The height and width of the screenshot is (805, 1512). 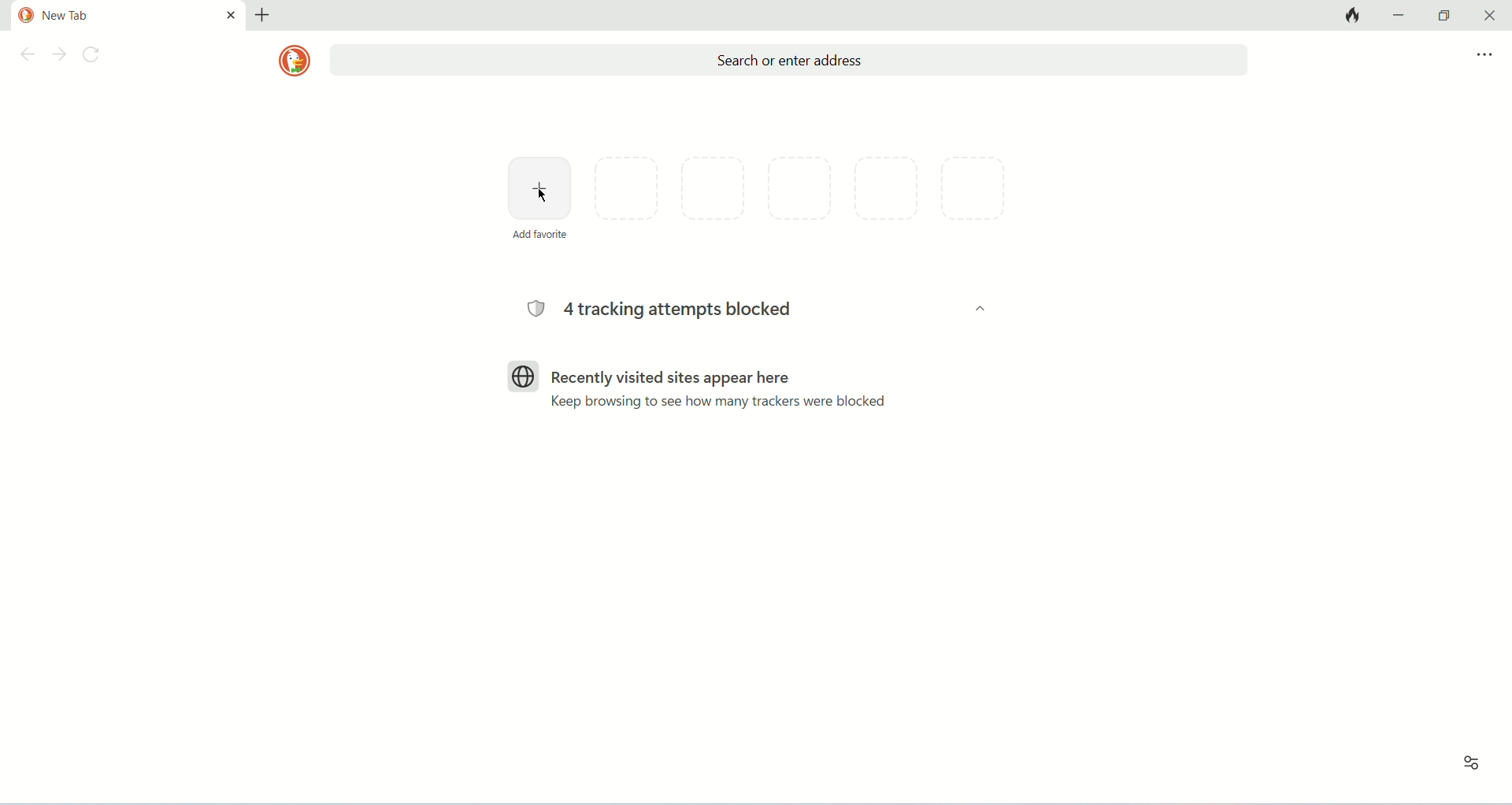 What do you see at coordinates (659, 309) in the screenshot?
I see `4 tracking attempts blocked` at bounding box center [659, 309].